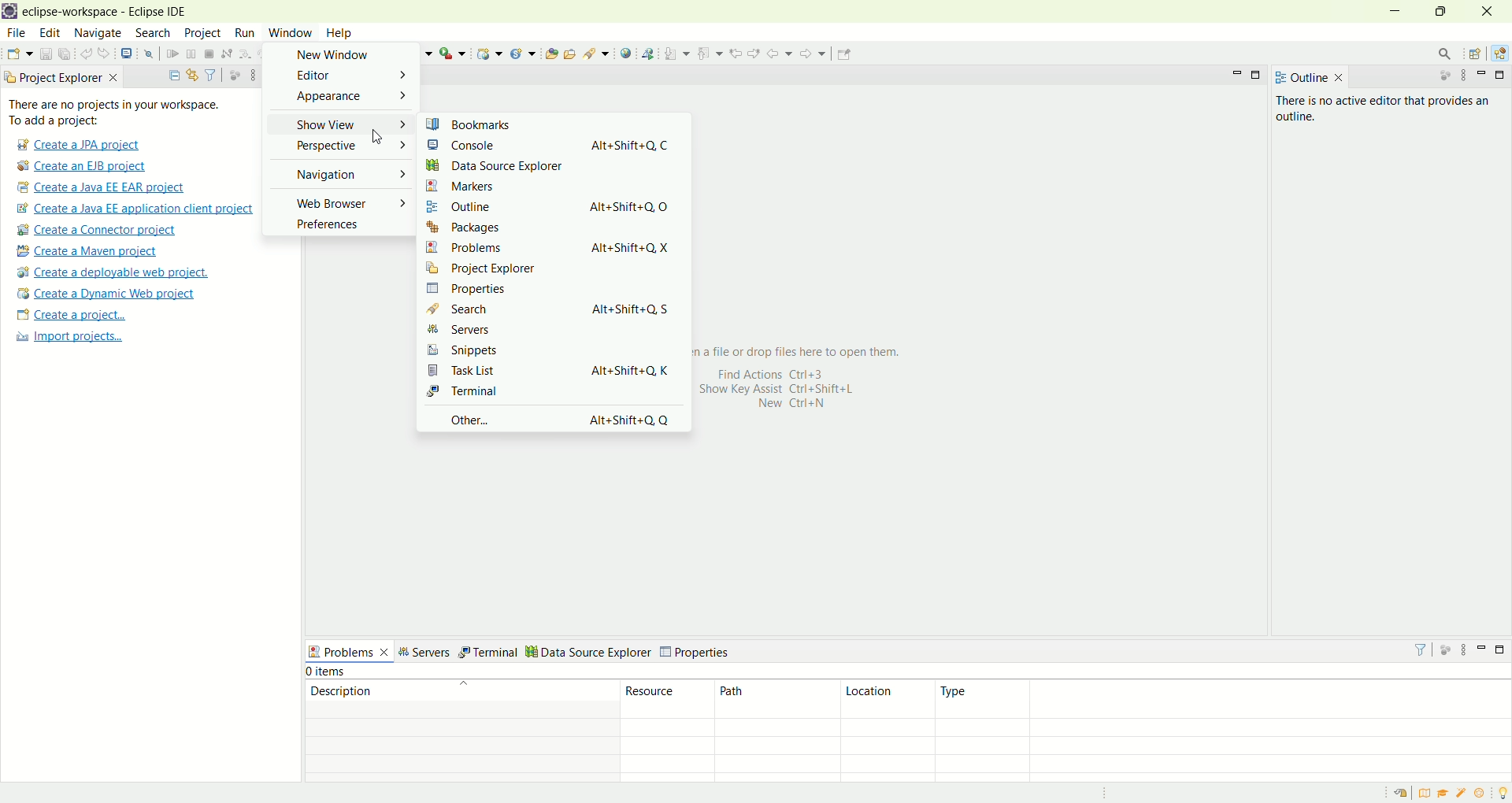 The width and height of the screenshot is (1512, 803). Describe the element at coordinates (1310, 77) in the screenshot. I see `outline` at that location.